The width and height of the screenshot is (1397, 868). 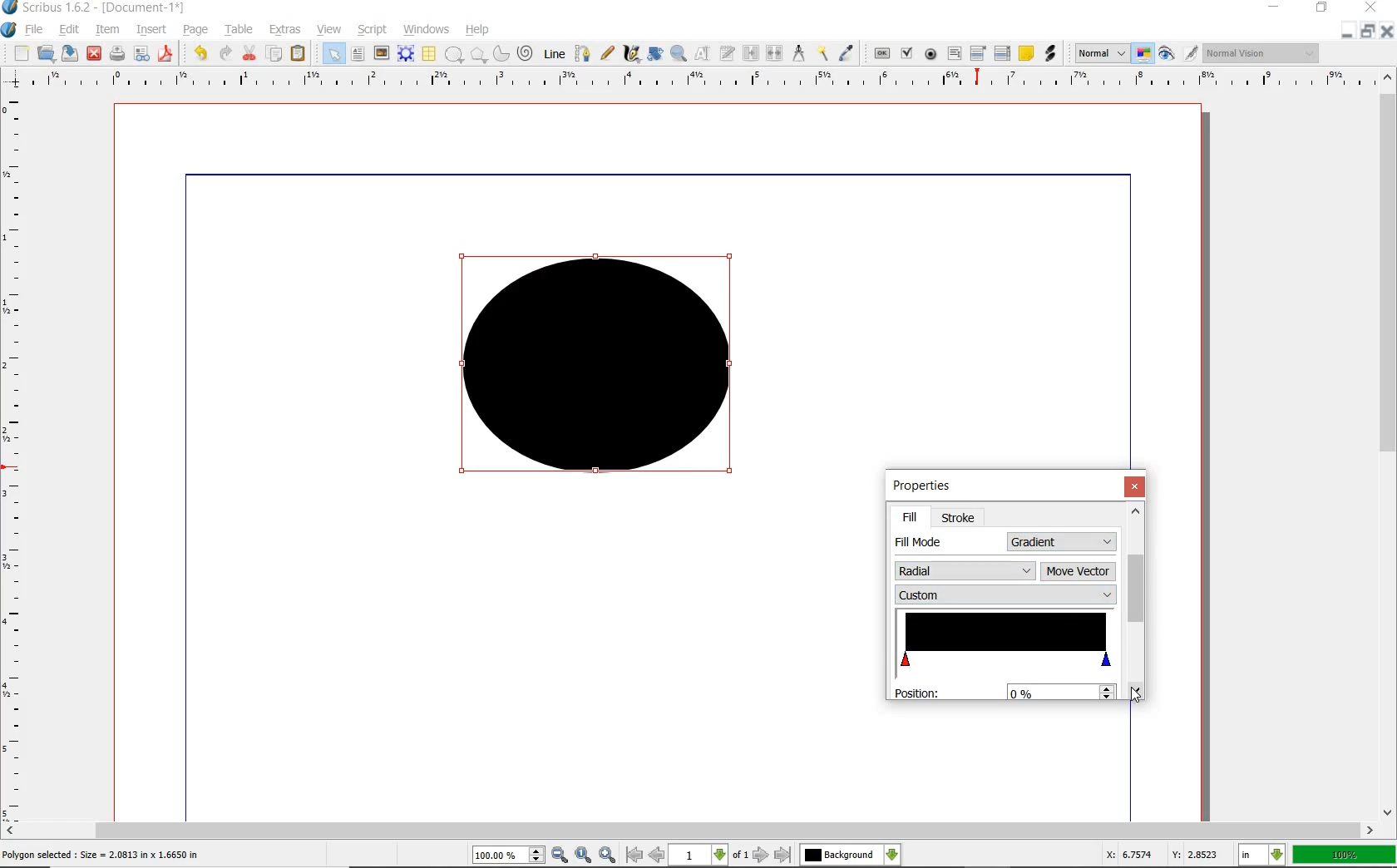 I want to click on CLOSE, so click(x=1387, y=32).